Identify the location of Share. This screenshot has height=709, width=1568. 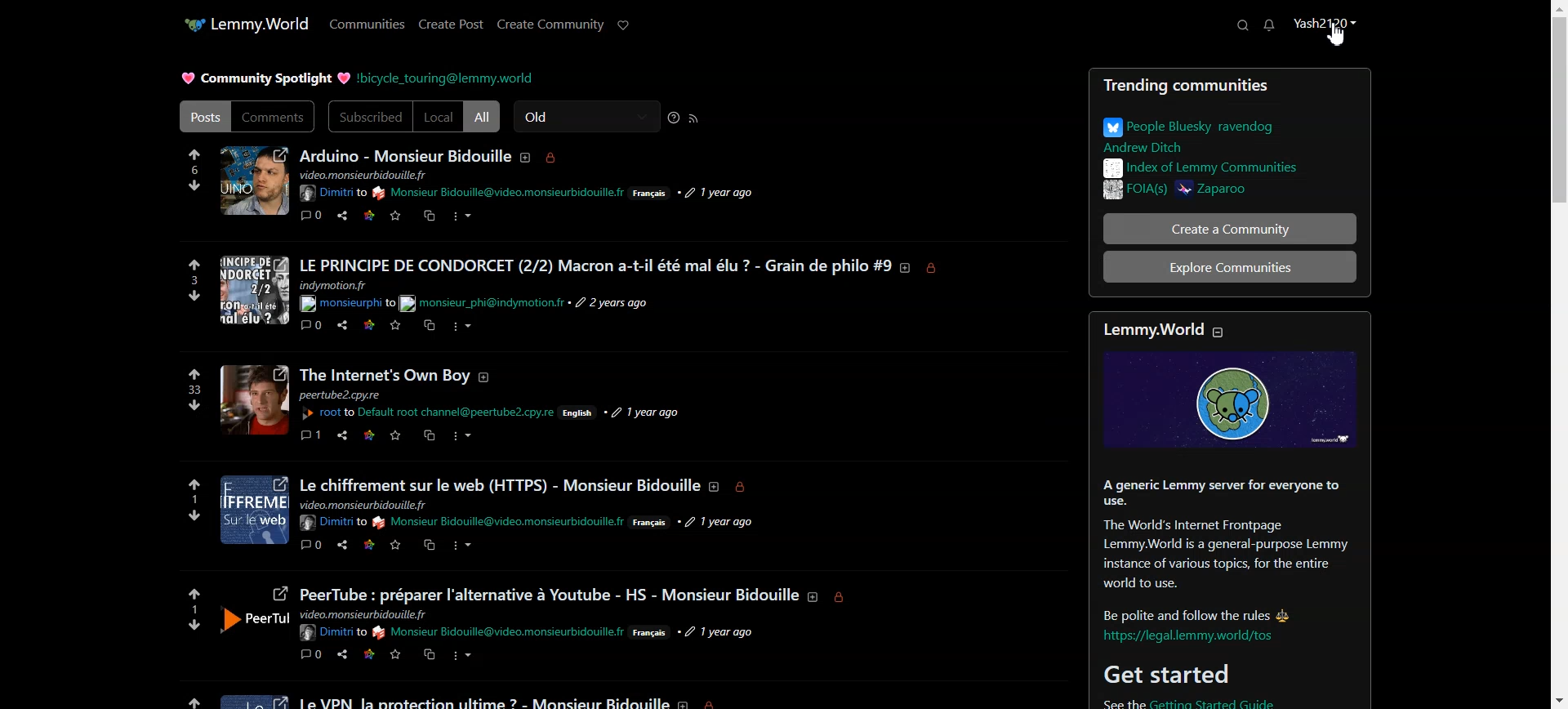
(342, 215).